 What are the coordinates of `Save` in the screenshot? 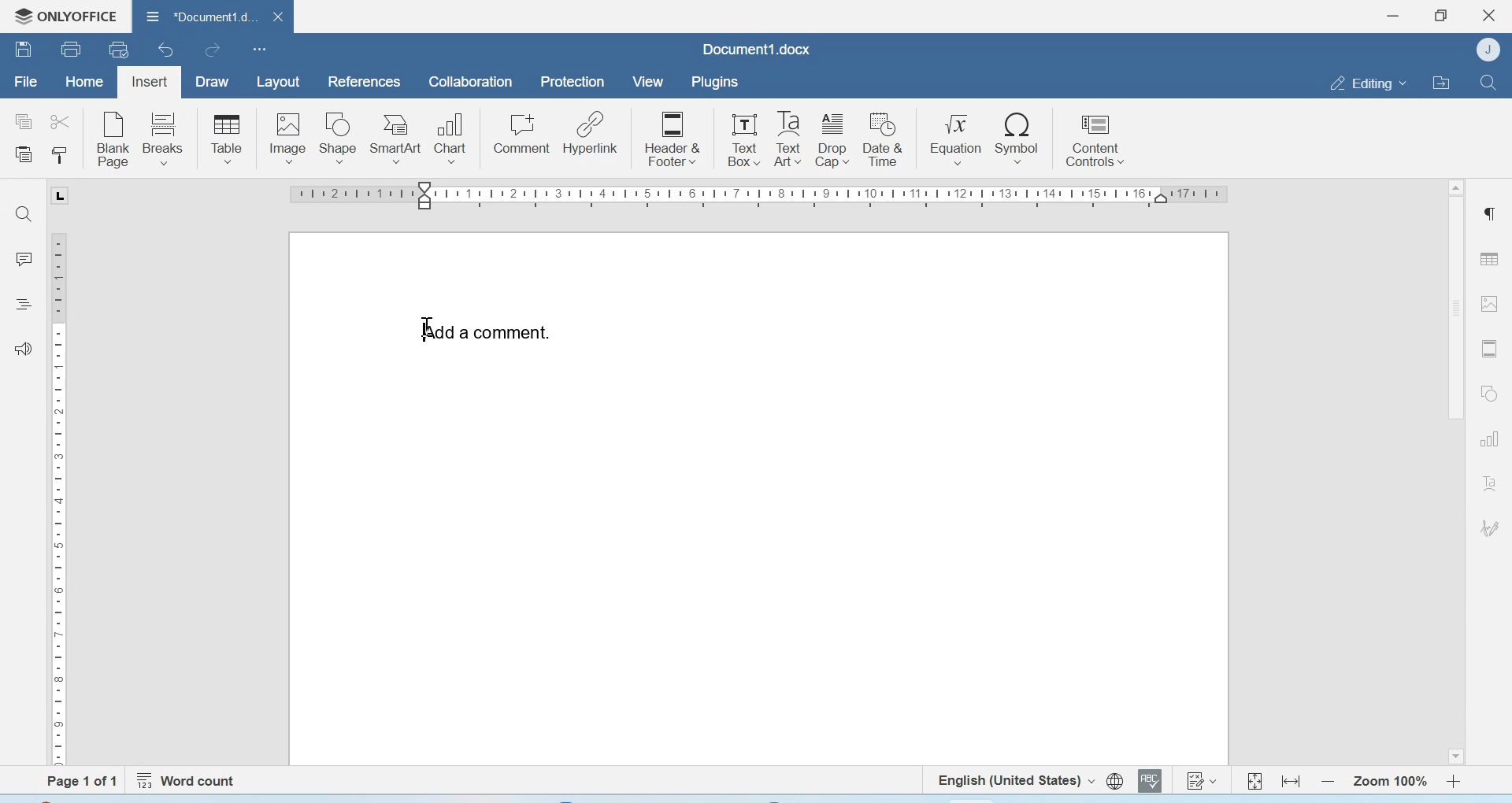 It's located at (23, 48).